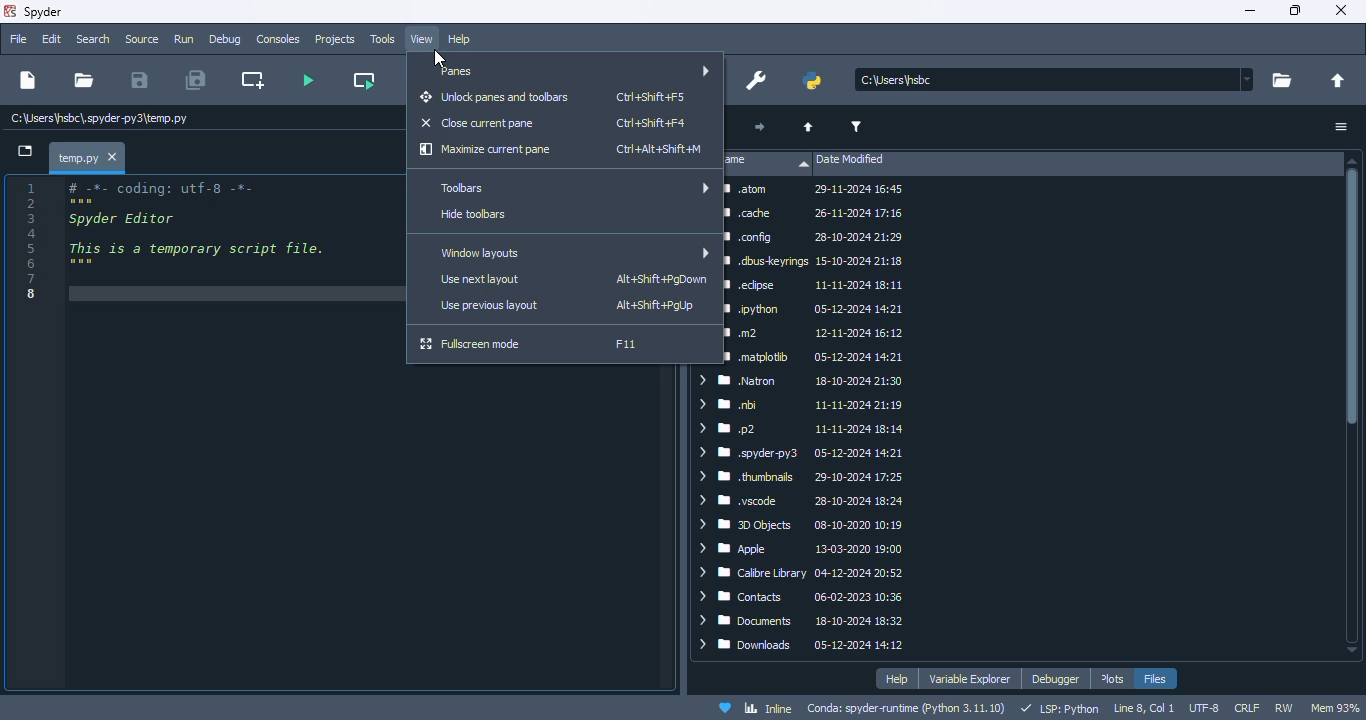 The image size is (1366, 720). I want to click on plots, so click(1113, 679).